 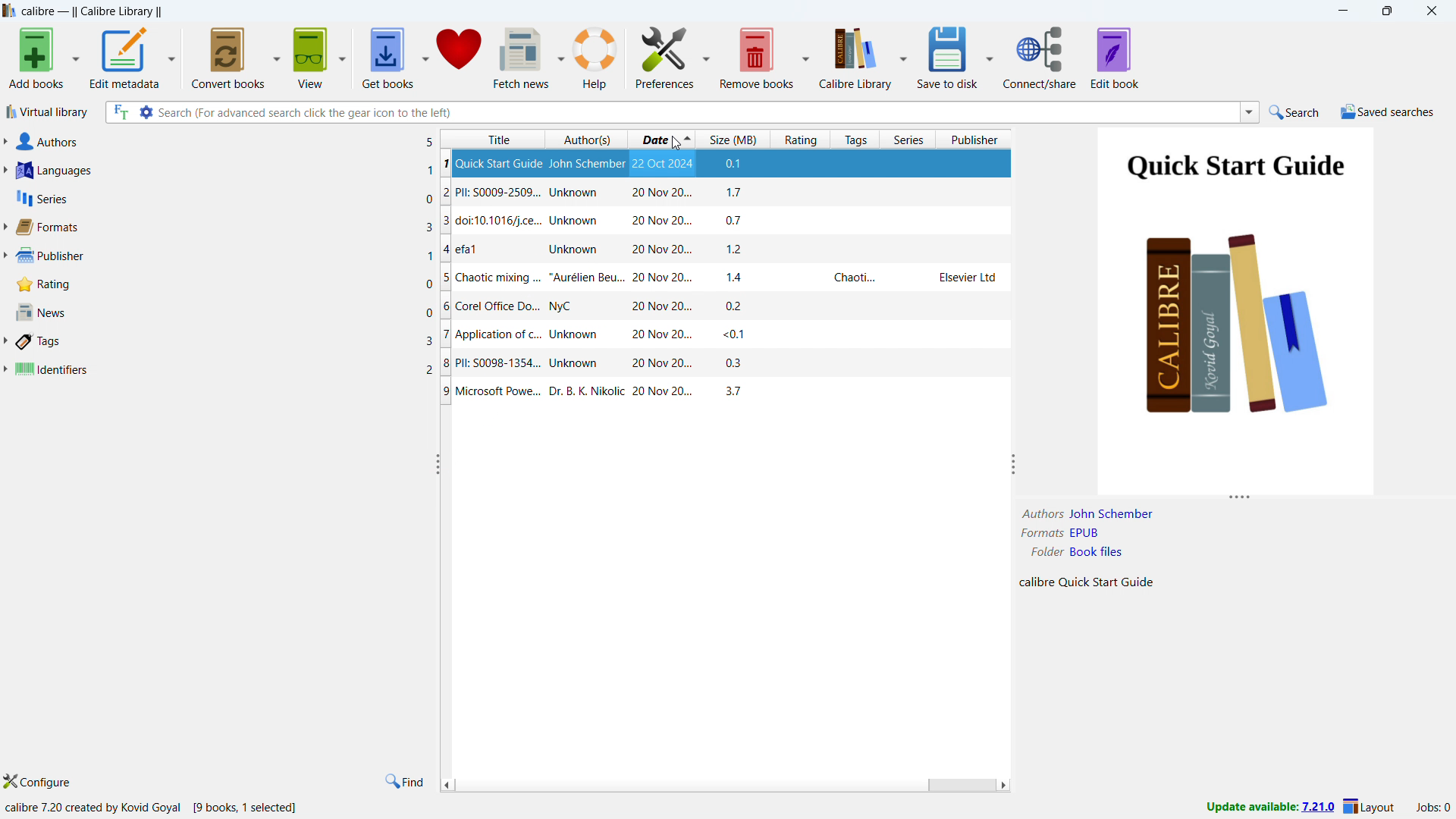 I want to click on Book mage, so click(x=1235, y=310).